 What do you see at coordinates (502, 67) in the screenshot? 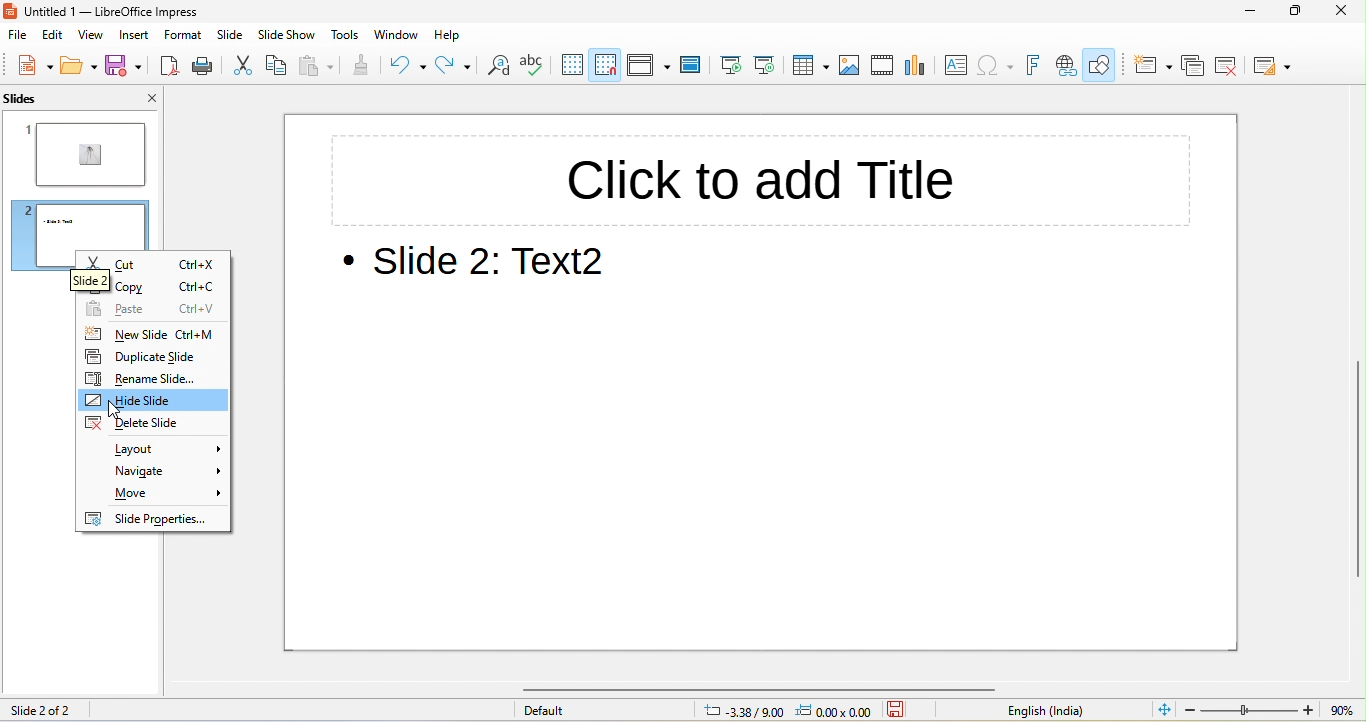
I see `find and replace` at bounding box center [502, 67].